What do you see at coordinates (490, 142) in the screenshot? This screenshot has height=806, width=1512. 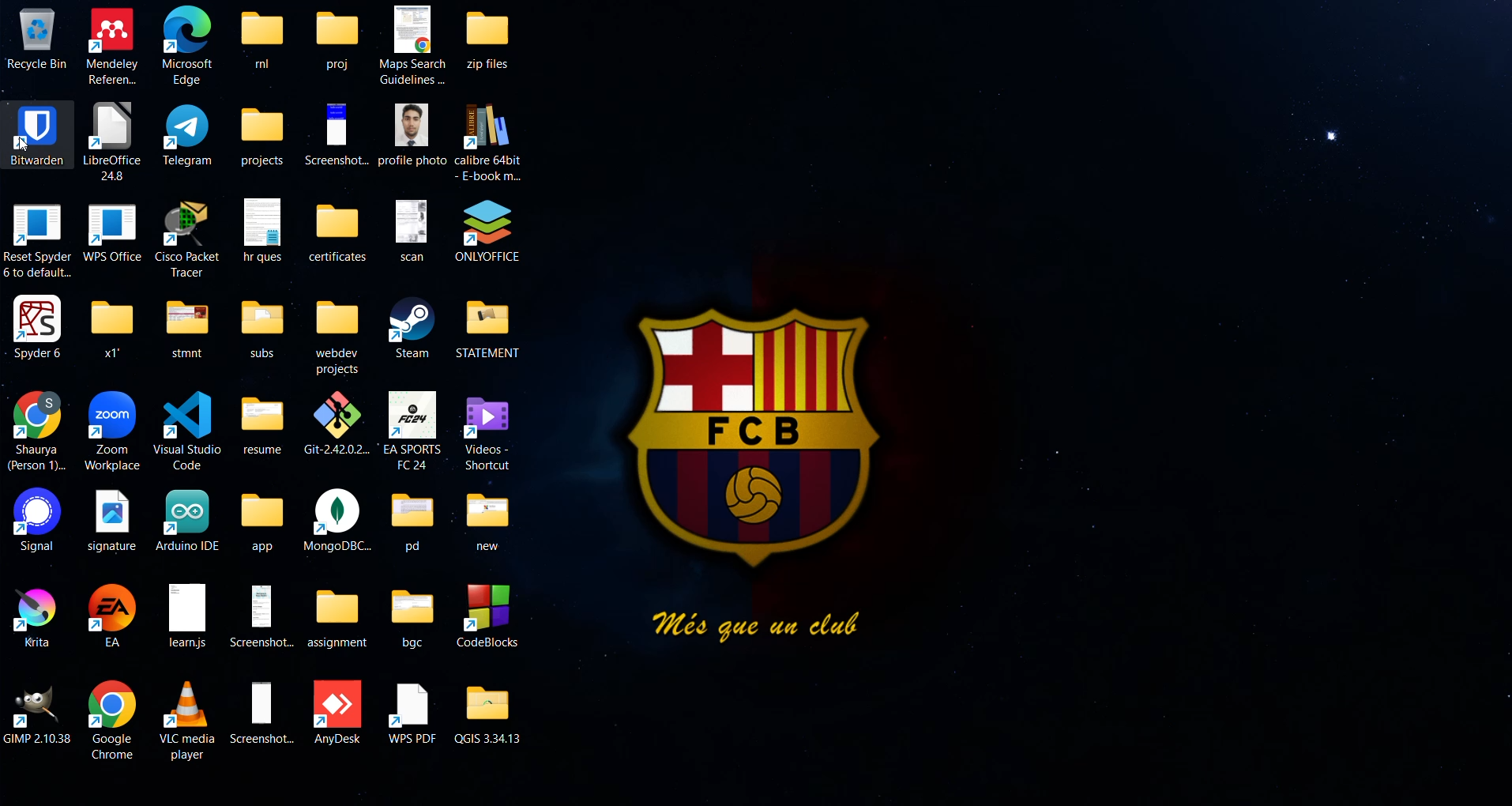 I see `calibre 64bit-E-book m..` at bounding box center [490, 142].